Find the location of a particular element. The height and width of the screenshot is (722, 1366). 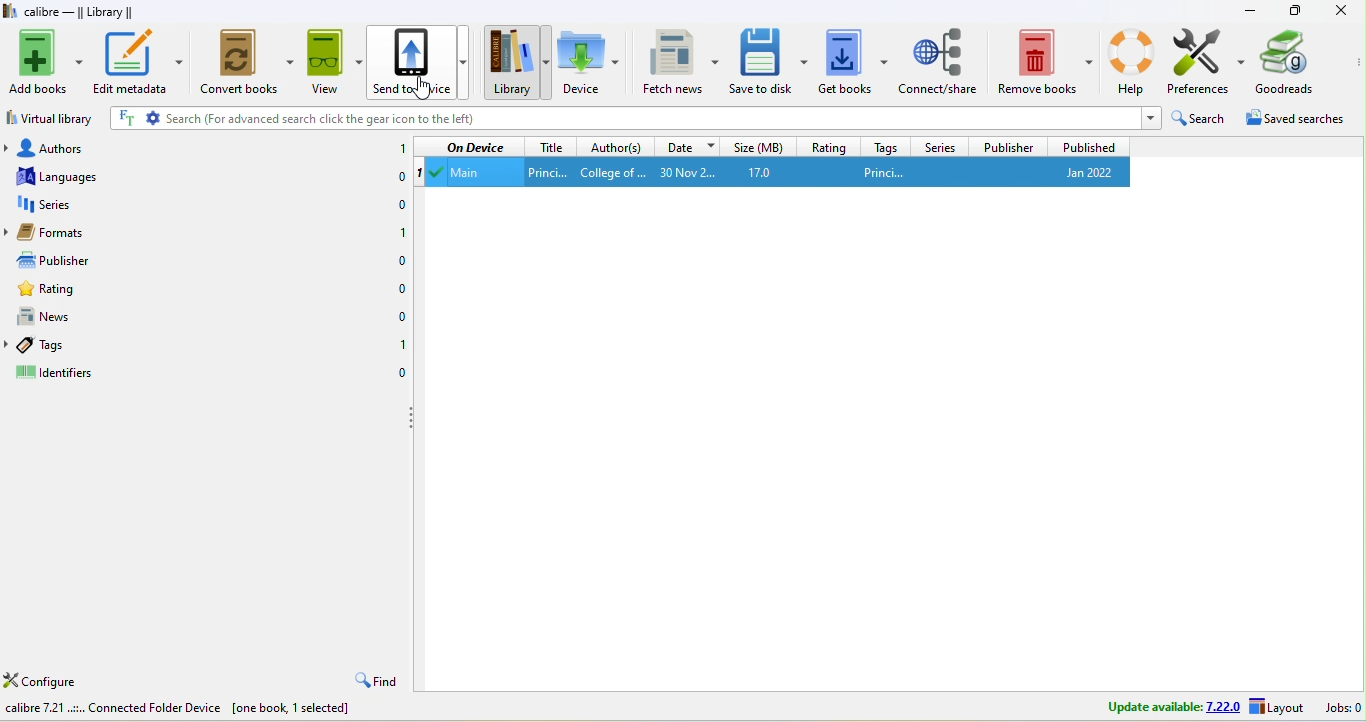

1  is located at coordinates (417, 174).